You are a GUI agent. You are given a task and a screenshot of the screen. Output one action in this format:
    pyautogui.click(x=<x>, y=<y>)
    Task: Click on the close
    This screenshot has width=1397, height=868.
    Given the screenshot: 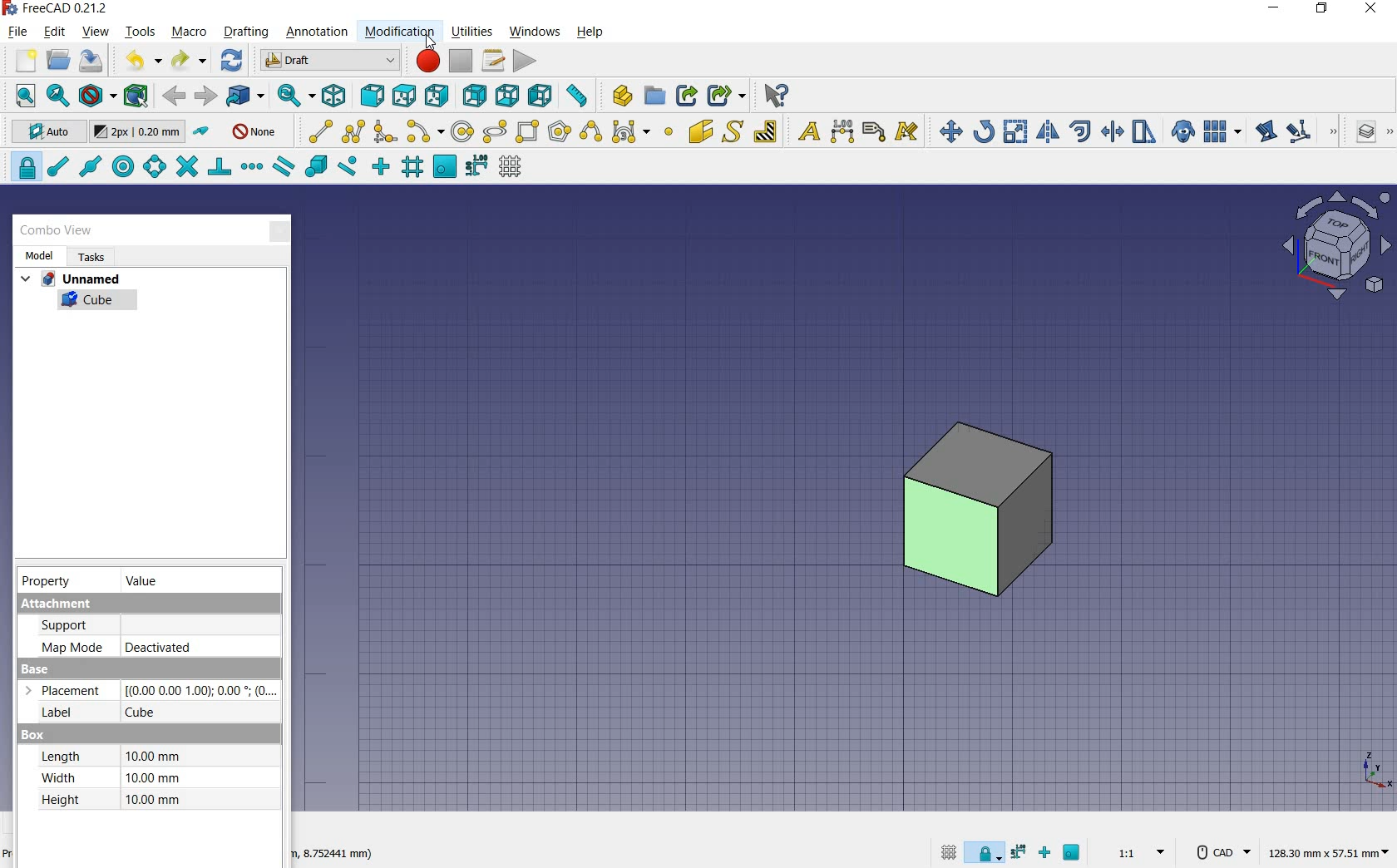 What is the action you would take?
    pyautogui.click(x=280, y=229)
    